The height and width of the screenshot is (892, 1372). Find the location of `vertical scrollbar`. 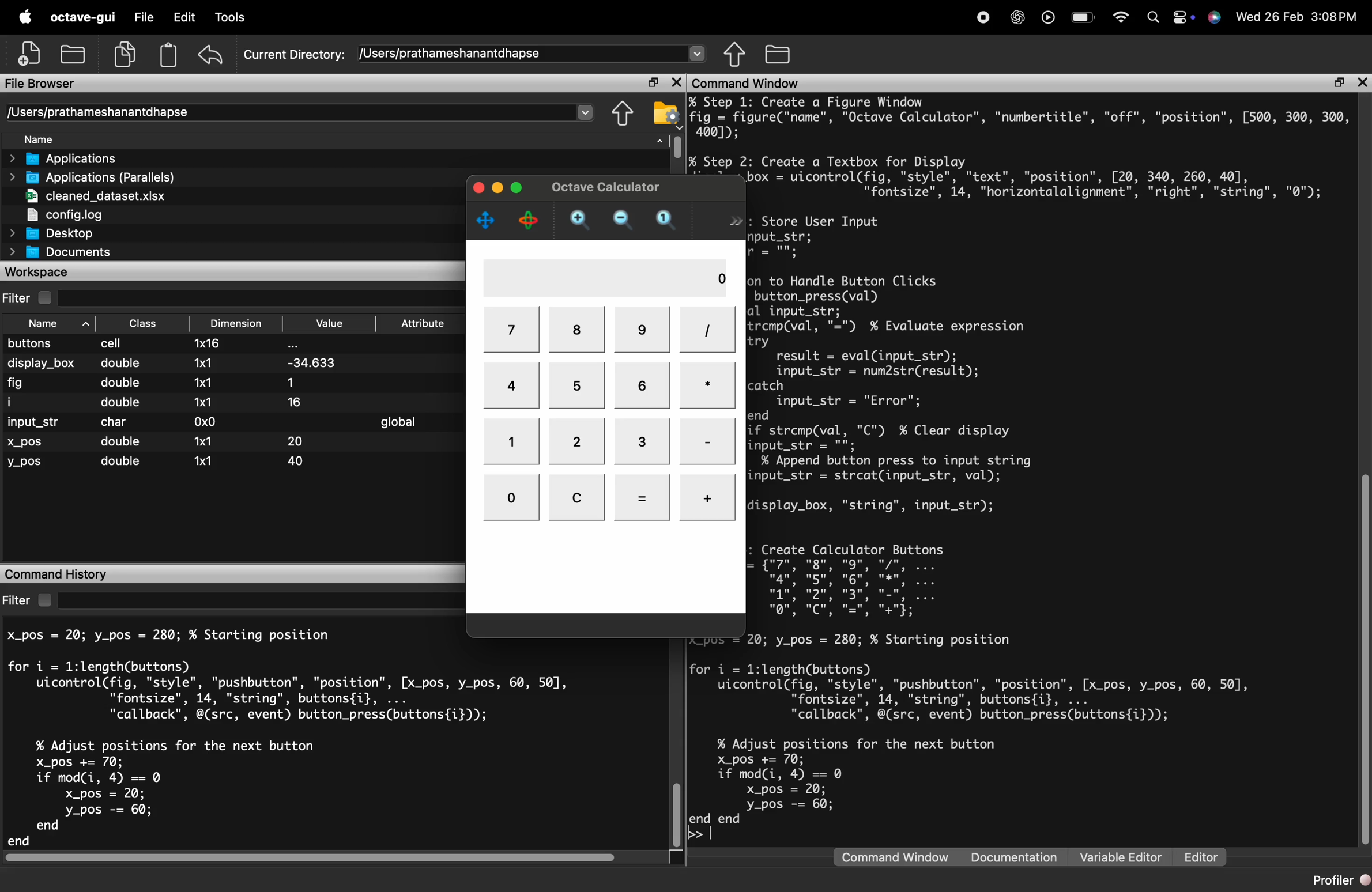

vertical scrollbar is located at coordinates (675, 815).